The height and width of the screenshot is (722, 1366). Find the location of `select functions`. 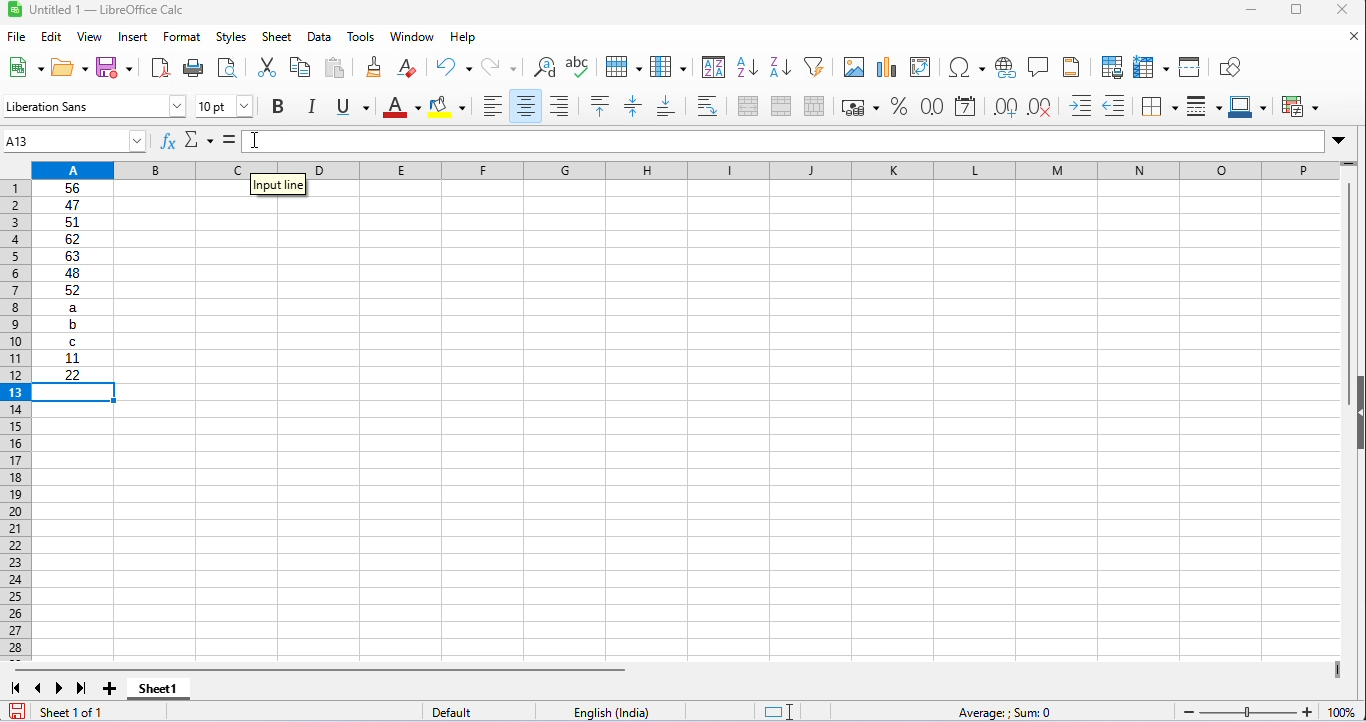

select functions is located at coordinates (200, 141).